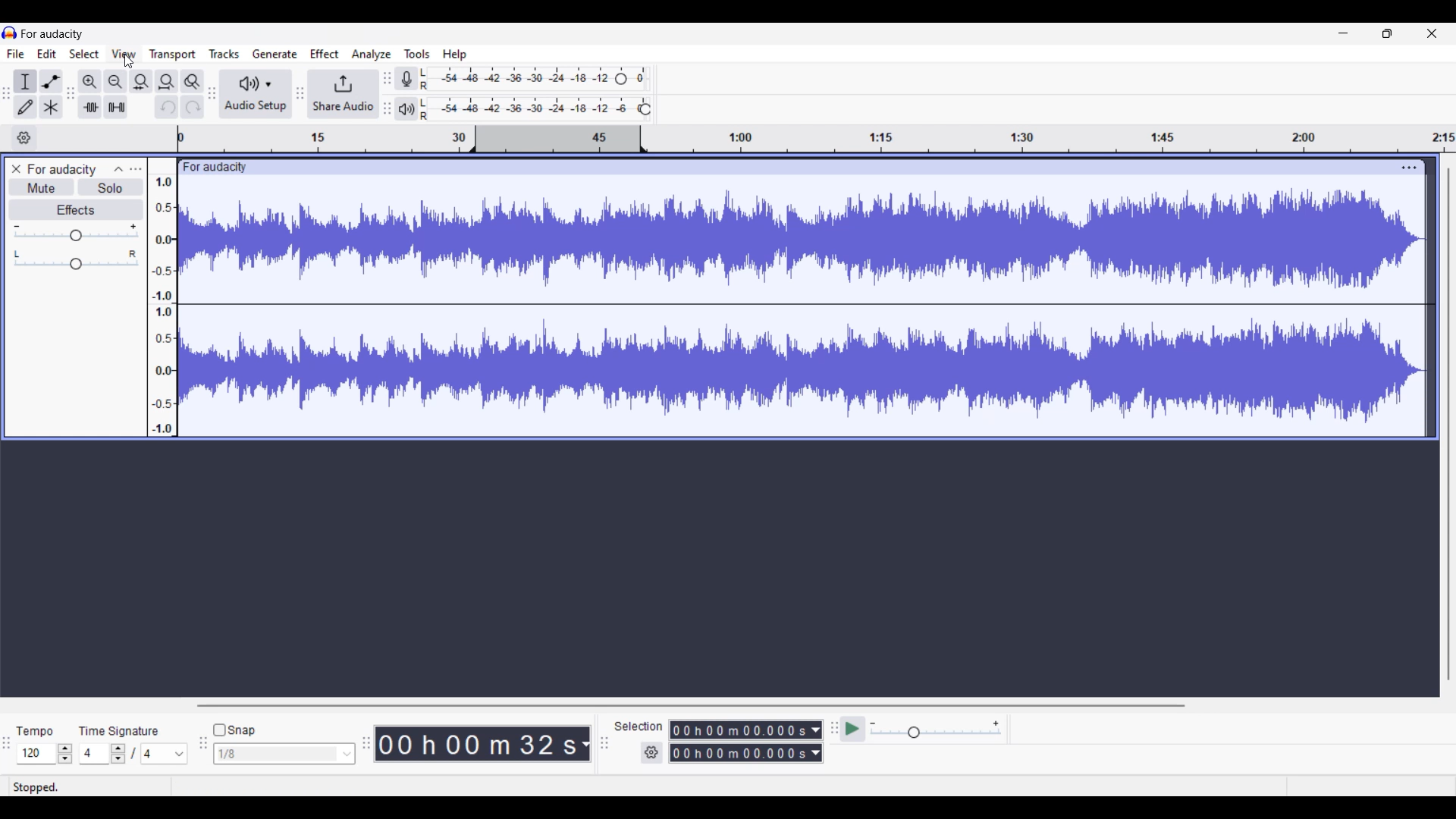 This screenshot has width=1456, height=819. What do you see at coordinates (64, 753) in the screenshot?
I see `Increase/Decrease tempo` at bounding box center [64, 753].